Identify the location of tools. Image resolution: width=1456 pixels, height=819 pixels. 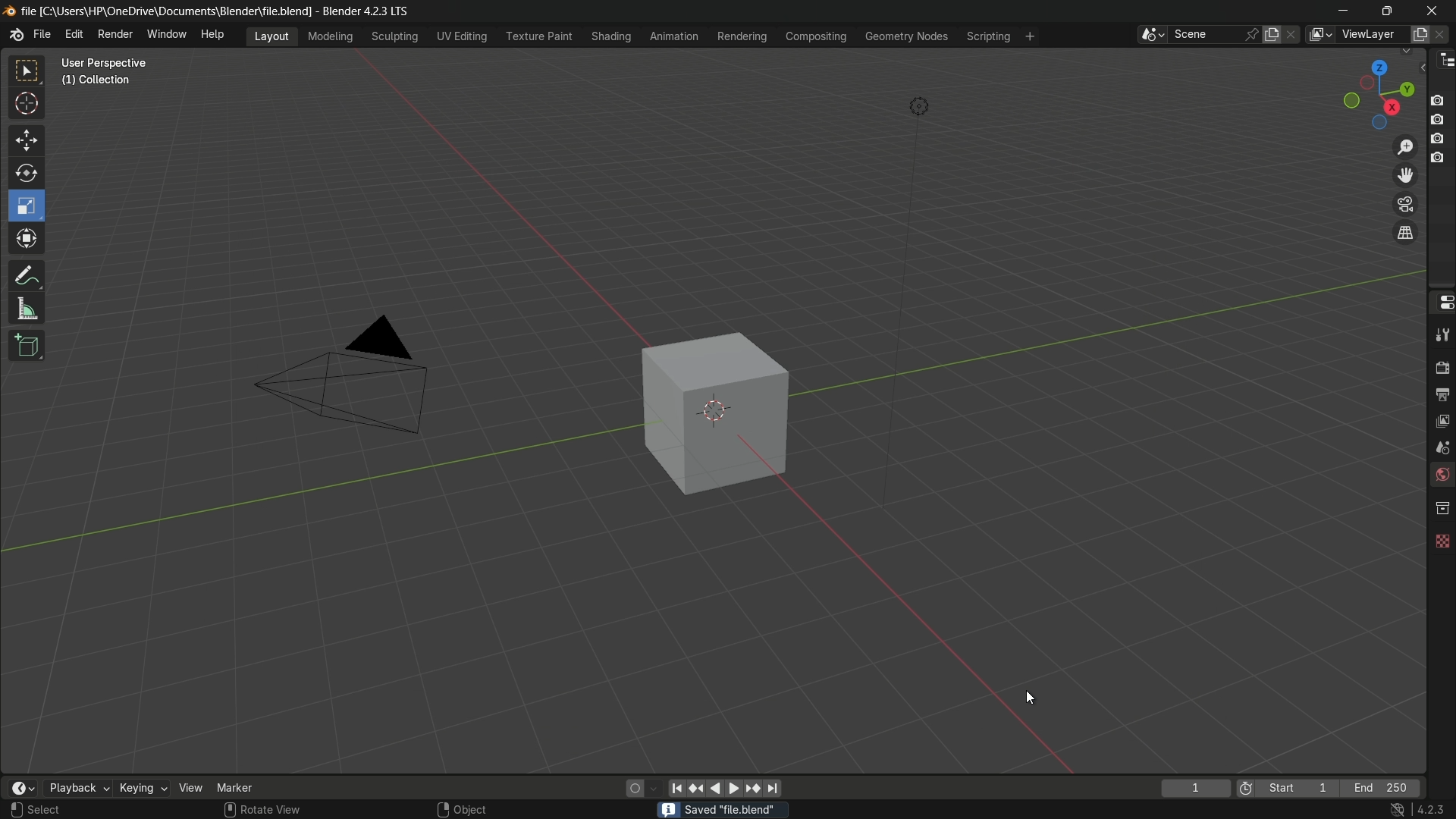
(1441, 334).